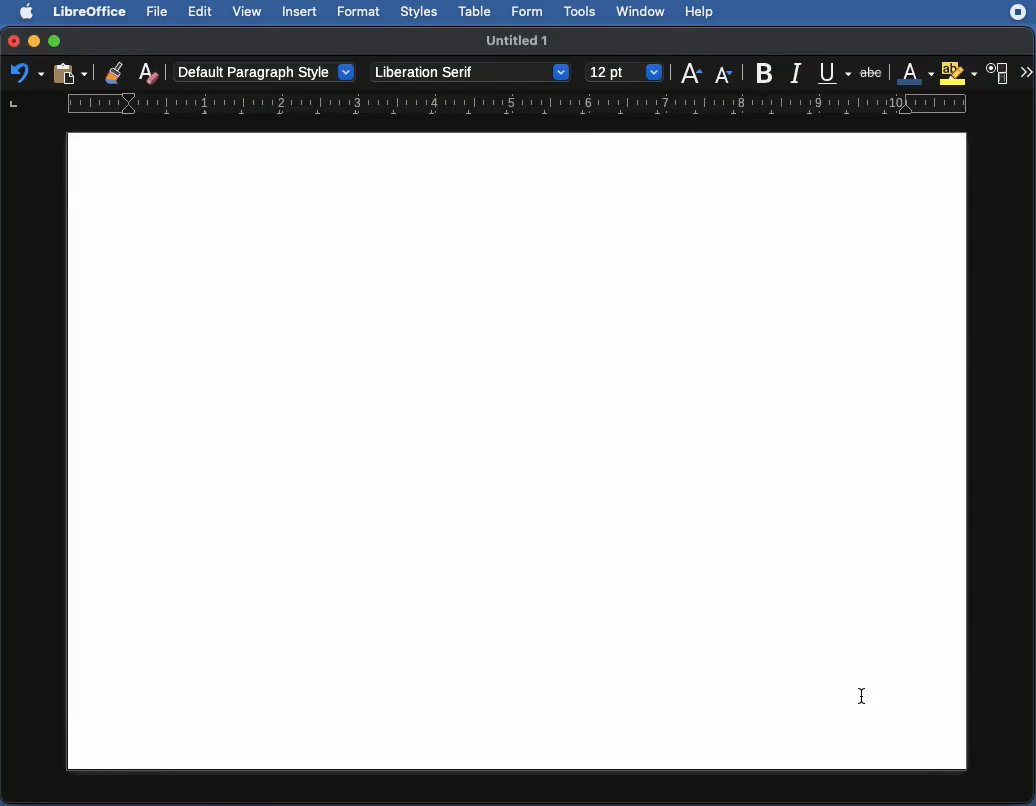  I want to click on Close, so click(12, 39).